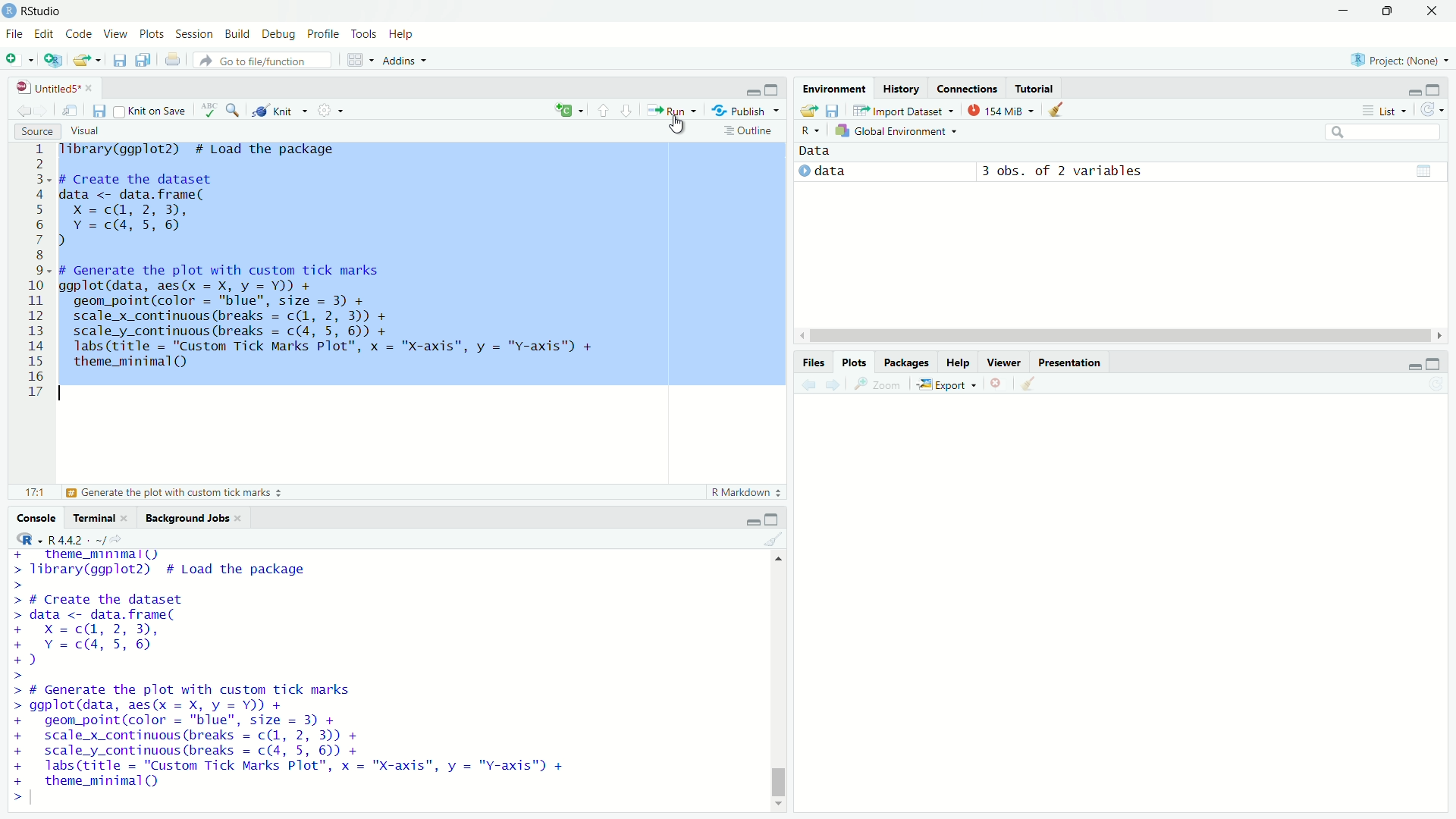  I want to click on edit, so click(45, 35).